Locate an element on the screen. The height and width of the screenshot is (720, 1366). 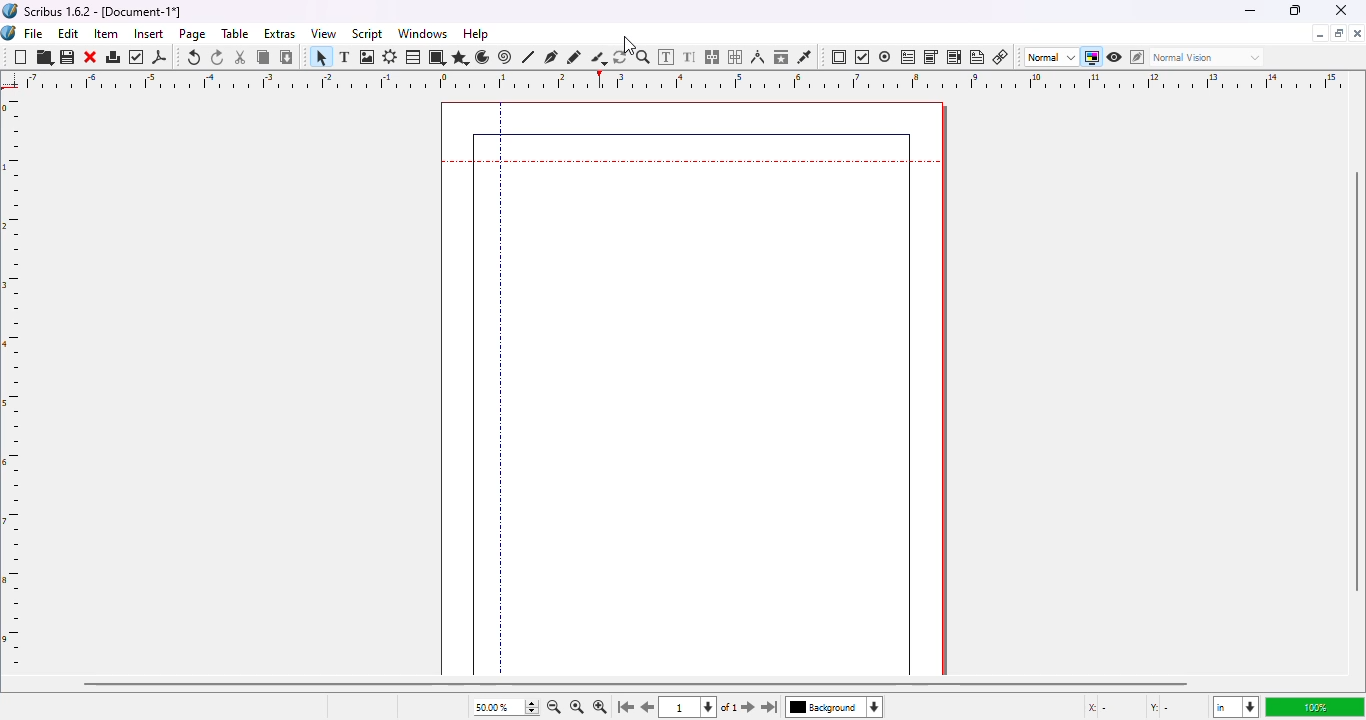
edit is located at coordinates (68, 33).